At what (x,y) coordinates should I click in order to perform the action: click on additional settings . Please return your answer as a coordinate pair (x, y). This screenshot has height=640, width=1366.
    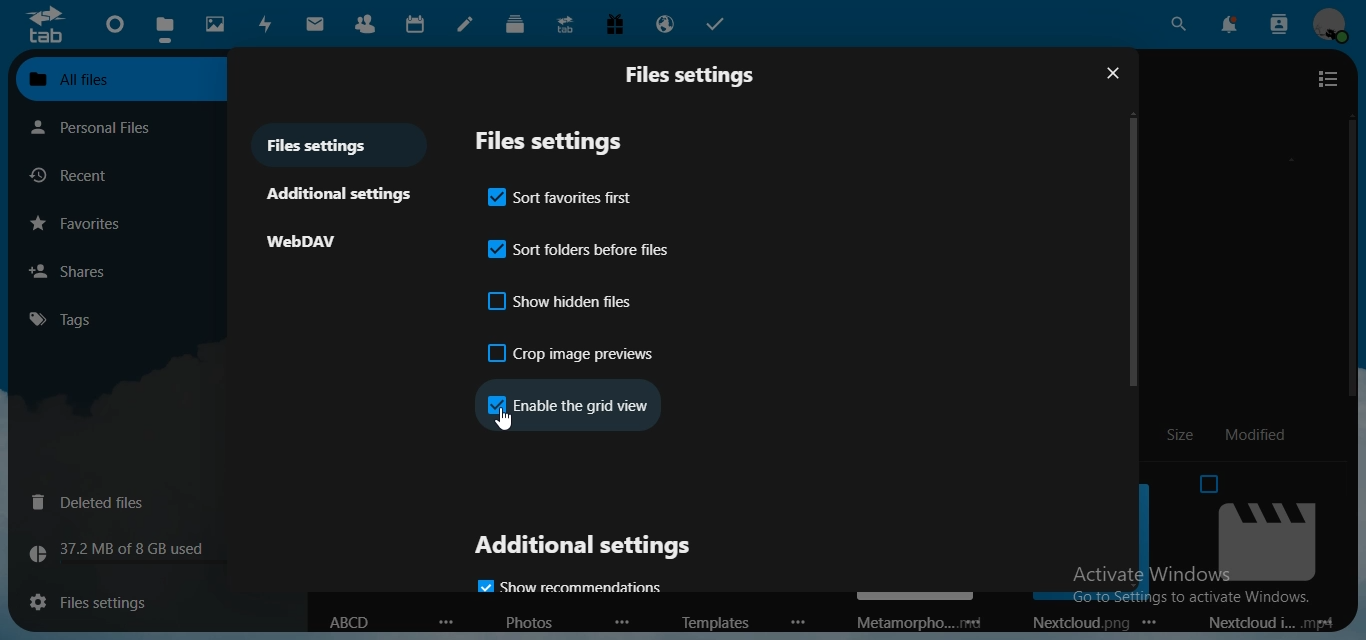
    Looking at the image, I should click on (583, 549).